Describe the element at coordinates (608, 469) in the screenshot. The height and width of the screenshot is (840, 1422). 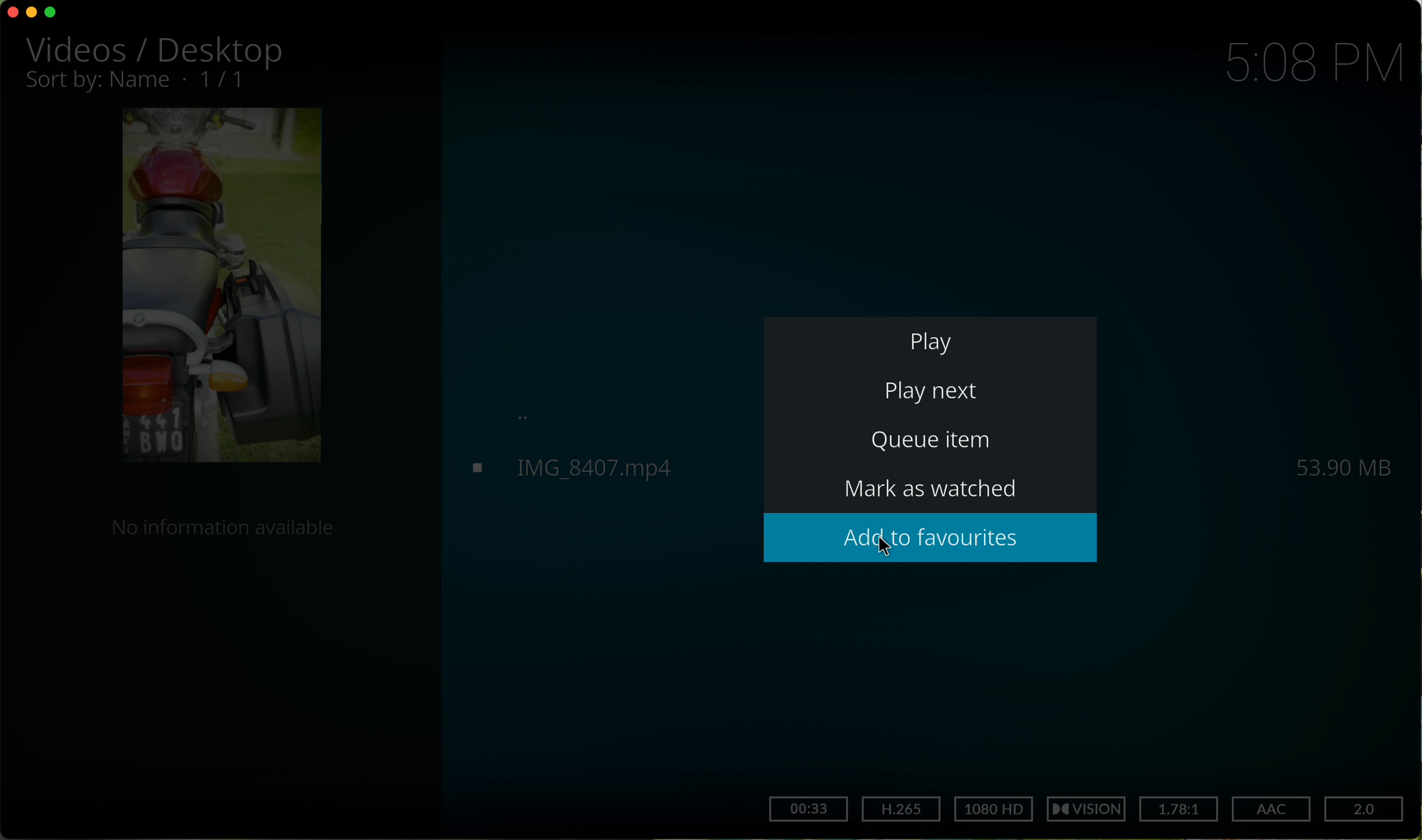
I see `click on video` at that location.